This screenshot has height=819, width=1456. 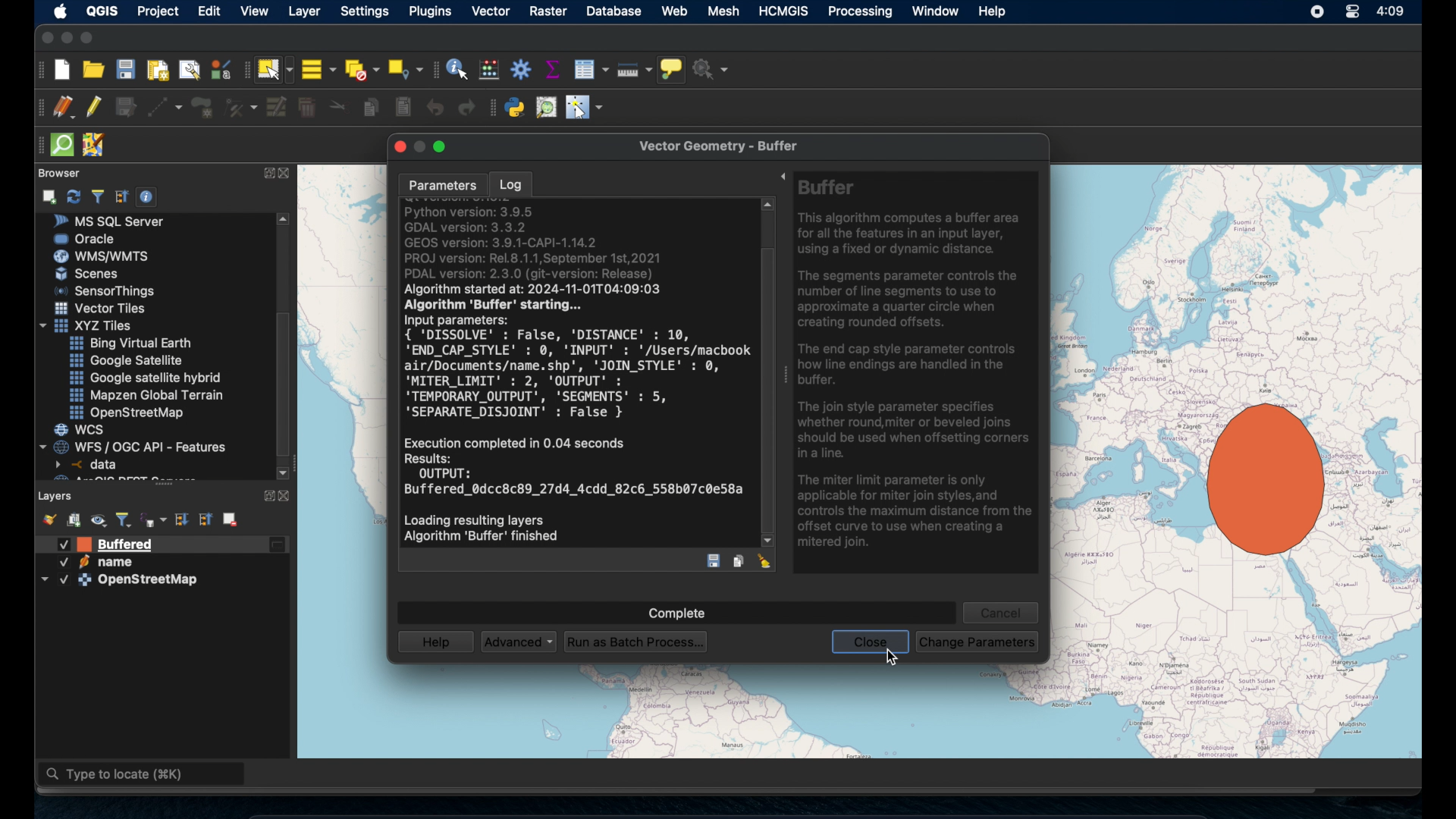 I want to click on save edits, so click(x=127, y=108).